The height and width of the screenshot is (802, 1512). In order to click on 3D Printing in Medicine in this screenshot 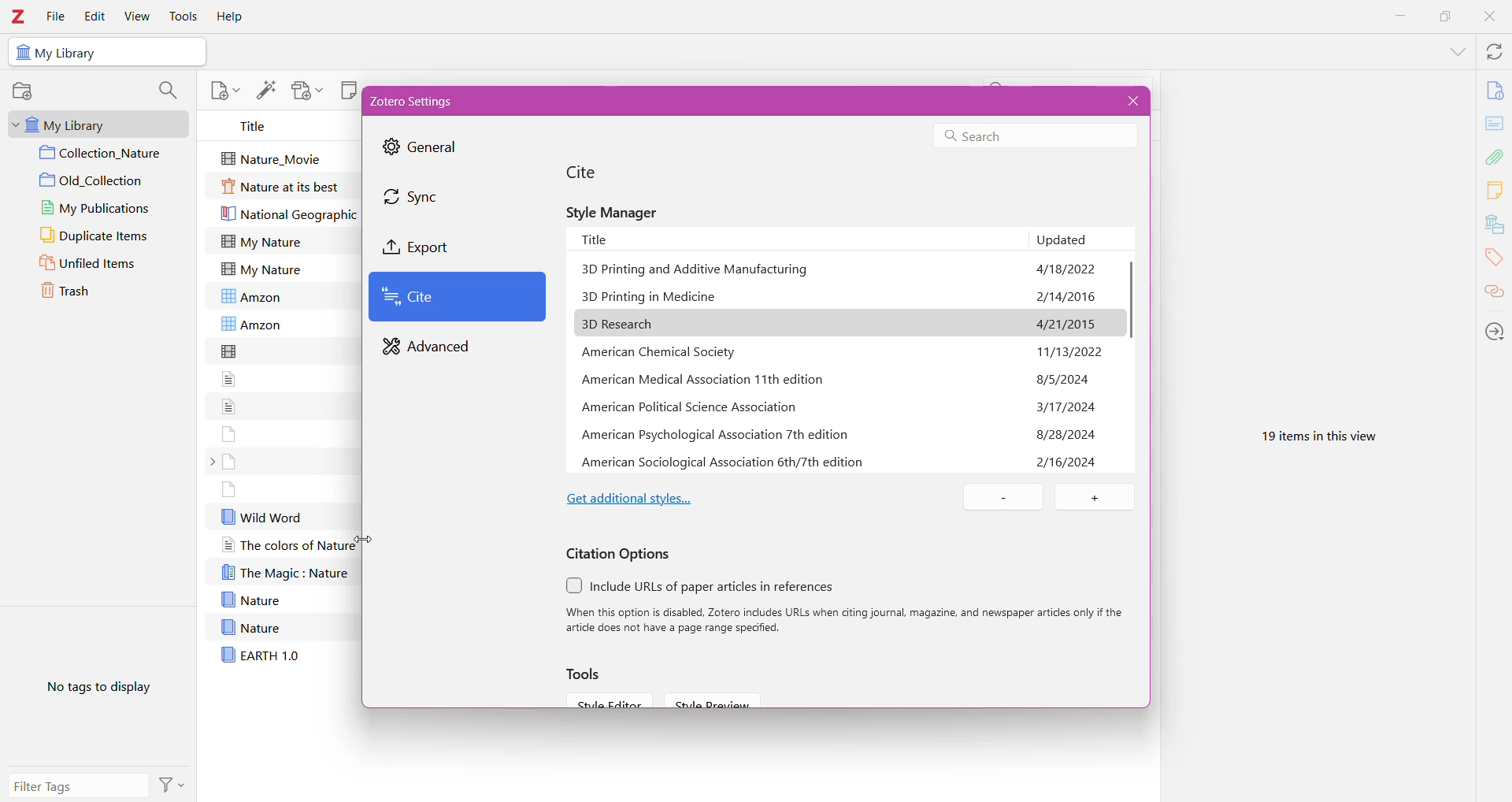, I will do `click(652, 297)`.